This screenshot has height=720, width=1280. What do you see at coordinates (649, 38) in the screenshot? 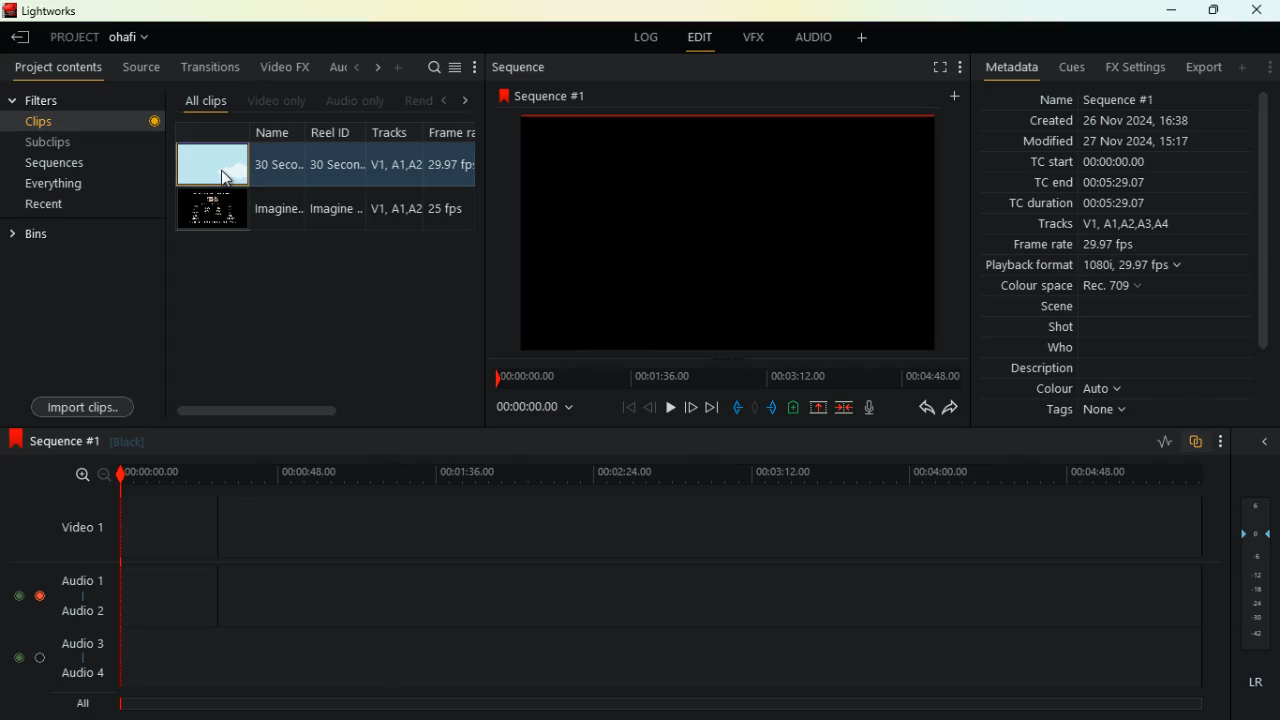
I see `log` at bounding box center [649, 38].